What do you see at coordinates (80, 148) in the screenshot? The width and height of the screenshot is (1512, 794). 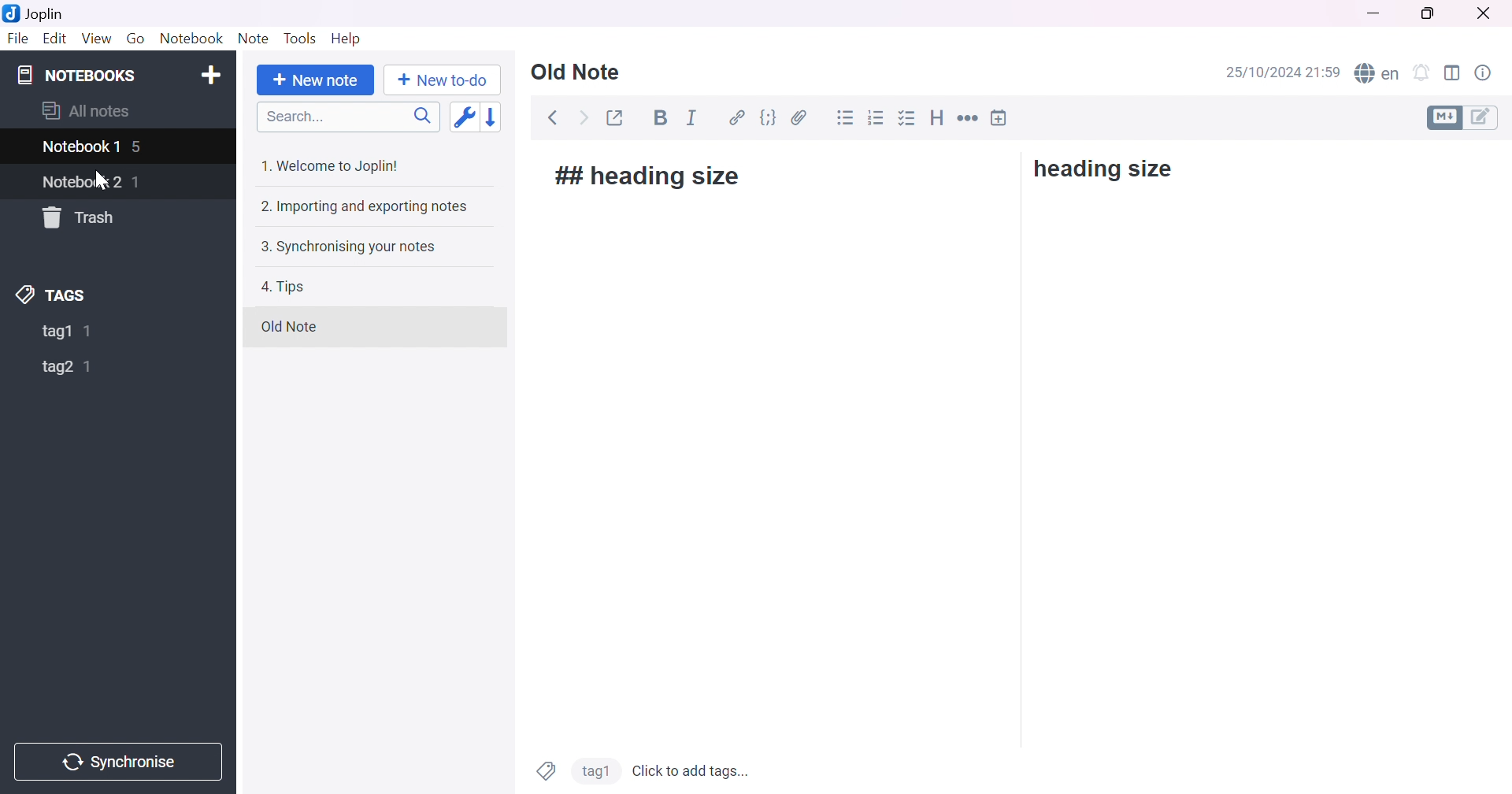 I see `Notebook1` at bounding box center [80, 148].